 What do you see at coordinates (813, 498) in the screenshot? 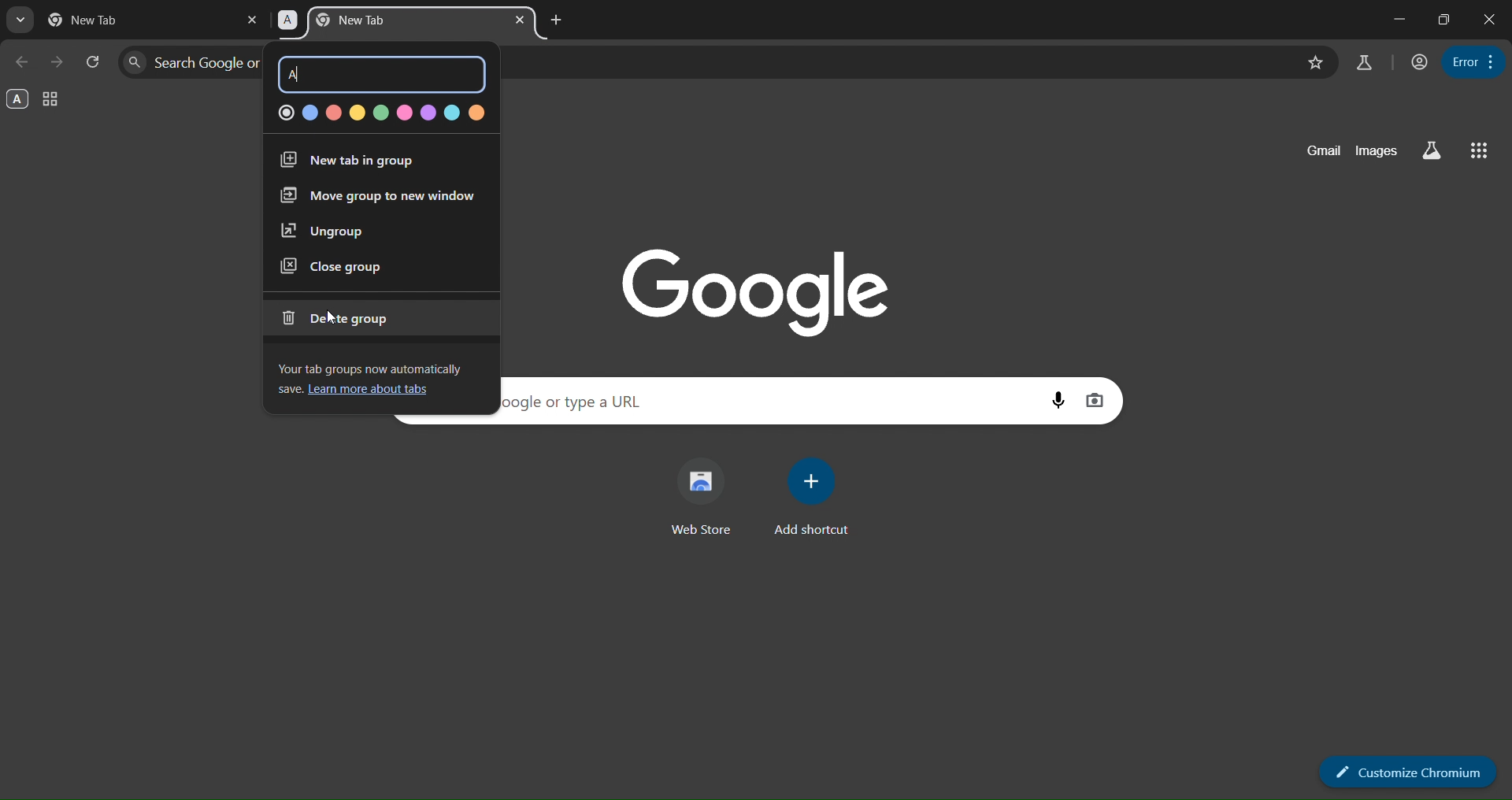
I see `add shortcut` at bounding box center [813, 498].